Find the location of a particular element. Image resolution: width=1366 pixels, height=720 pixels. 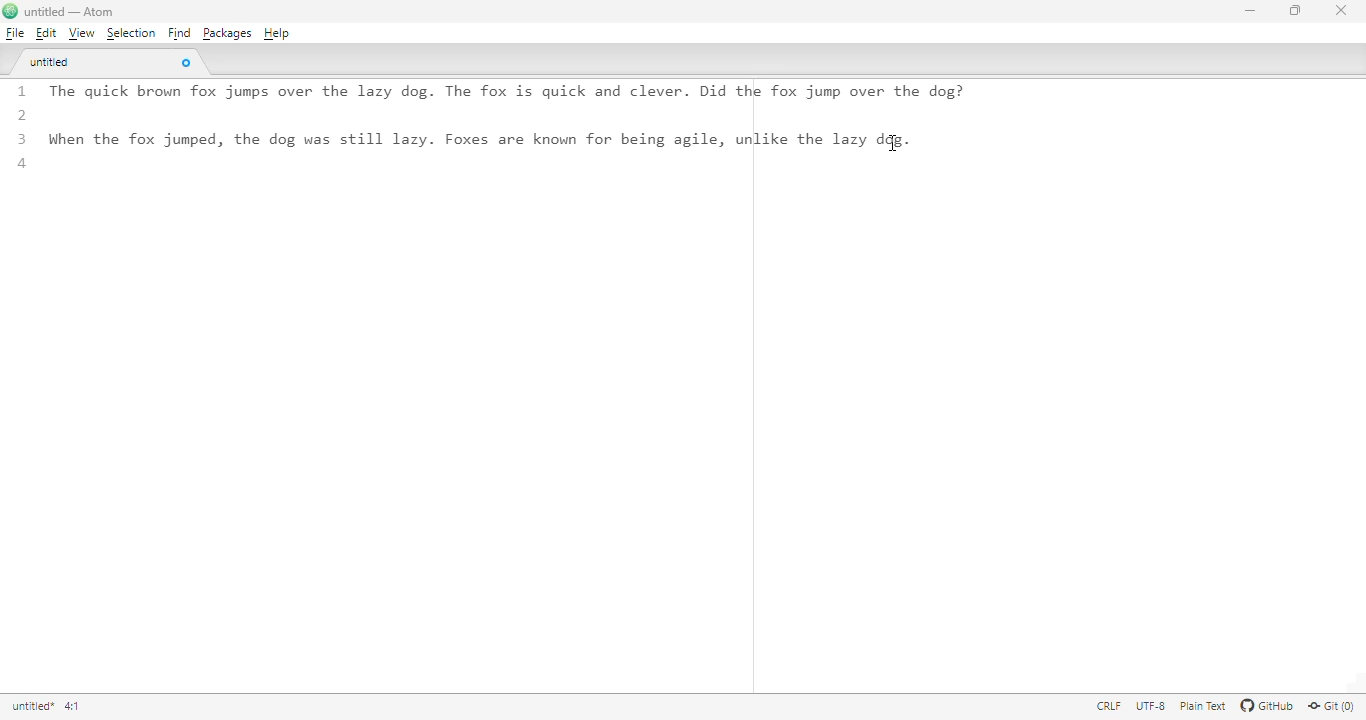

packages is located at coordinates (227, 33).